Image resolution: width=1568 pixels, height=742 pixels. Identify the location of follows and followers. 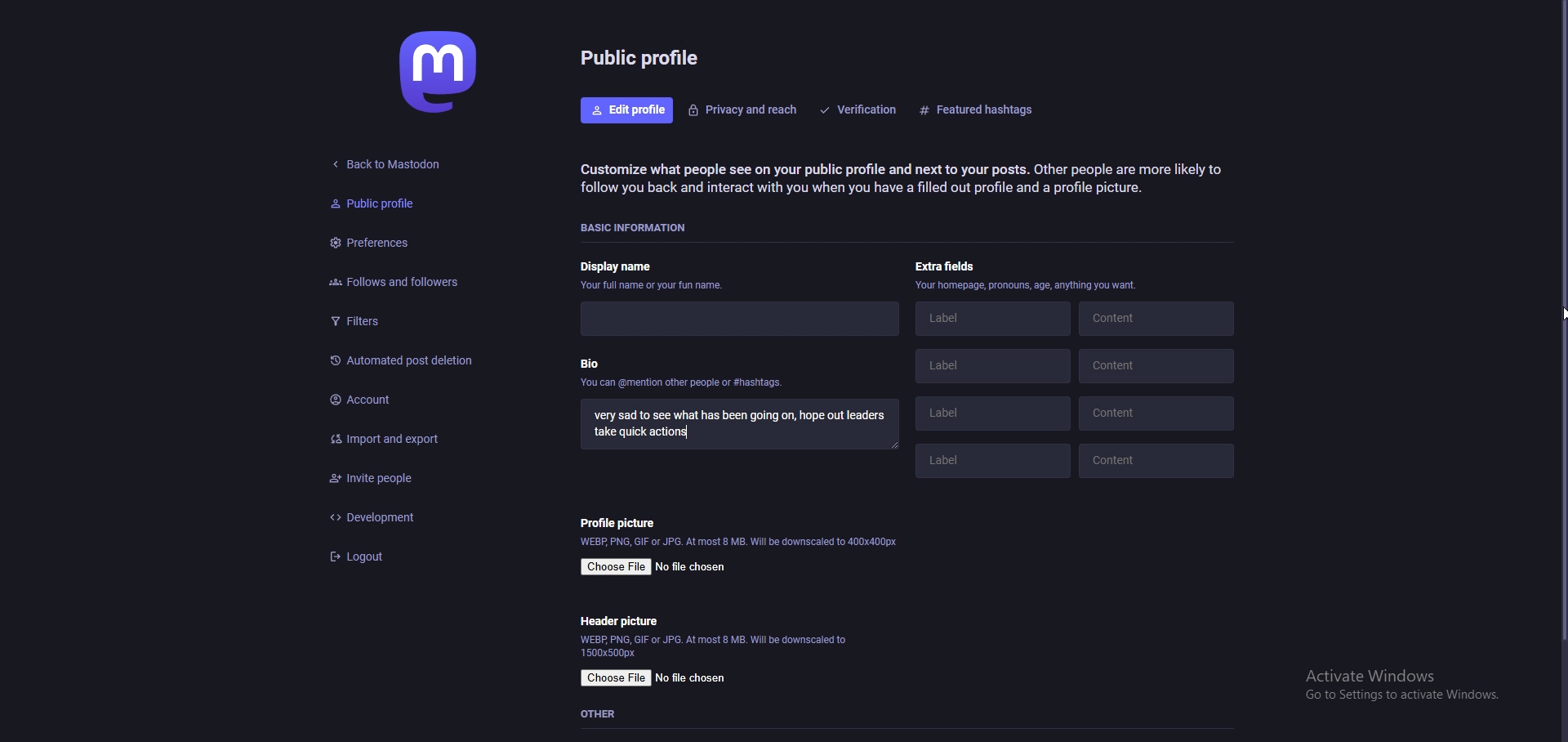
(412, 279).